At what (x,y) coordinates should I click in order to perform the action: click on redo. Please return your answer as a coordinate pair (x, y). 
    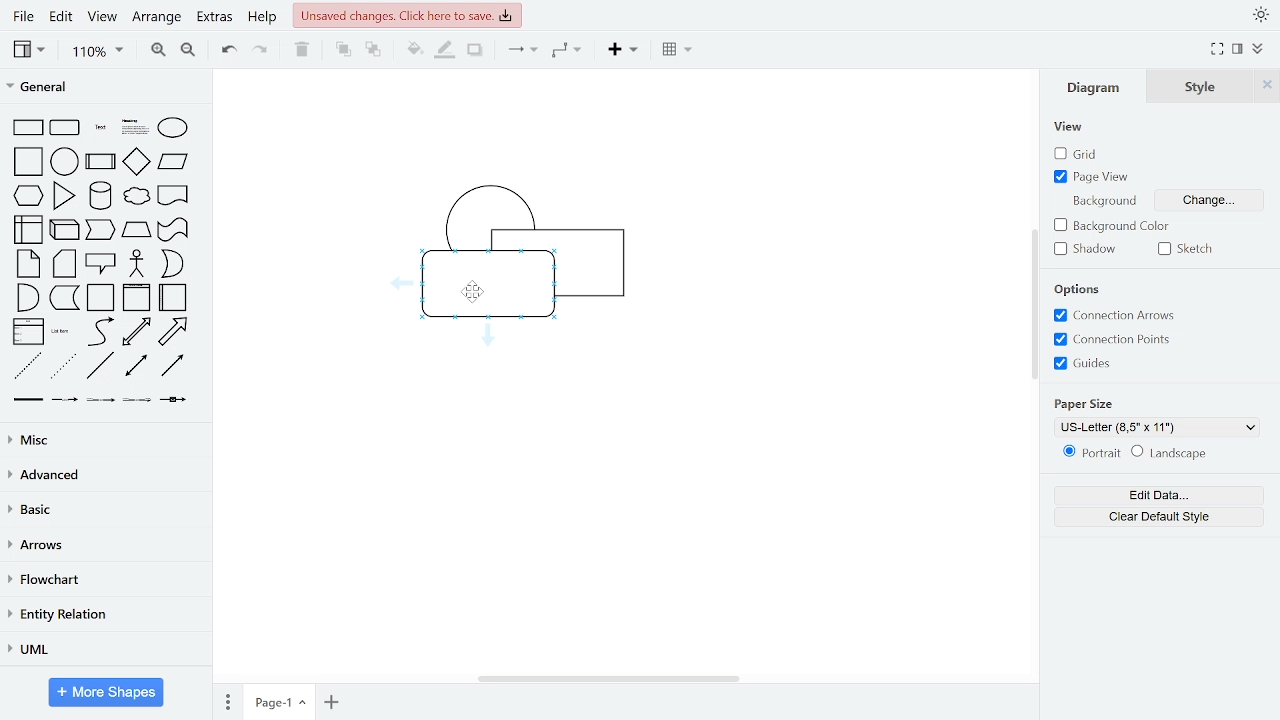
    Looking at the image, I should click on (259, 52).